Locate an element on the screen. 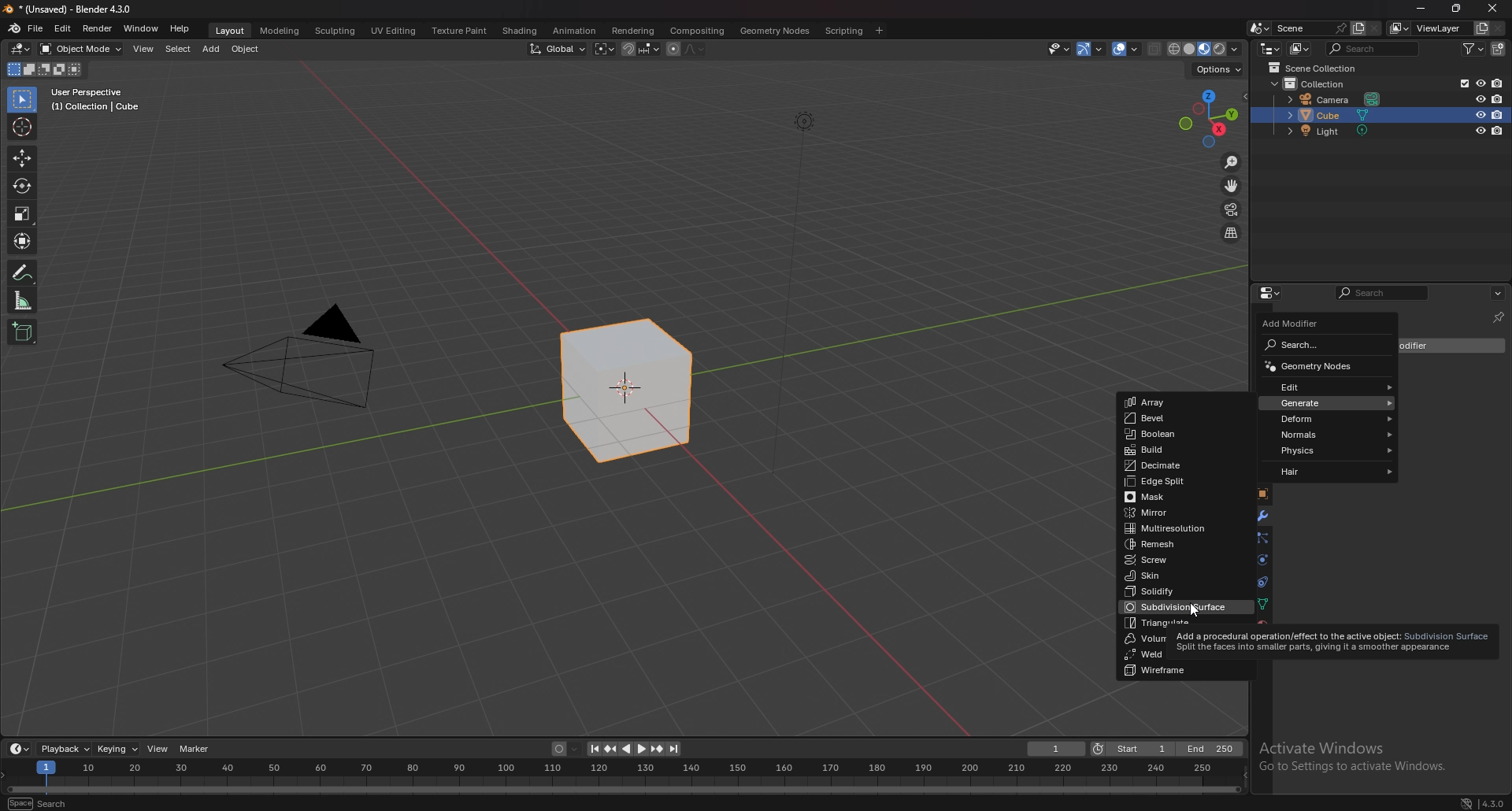 This screenshot has width=1512, height=811. screw is located at coordinates (1178, 560).